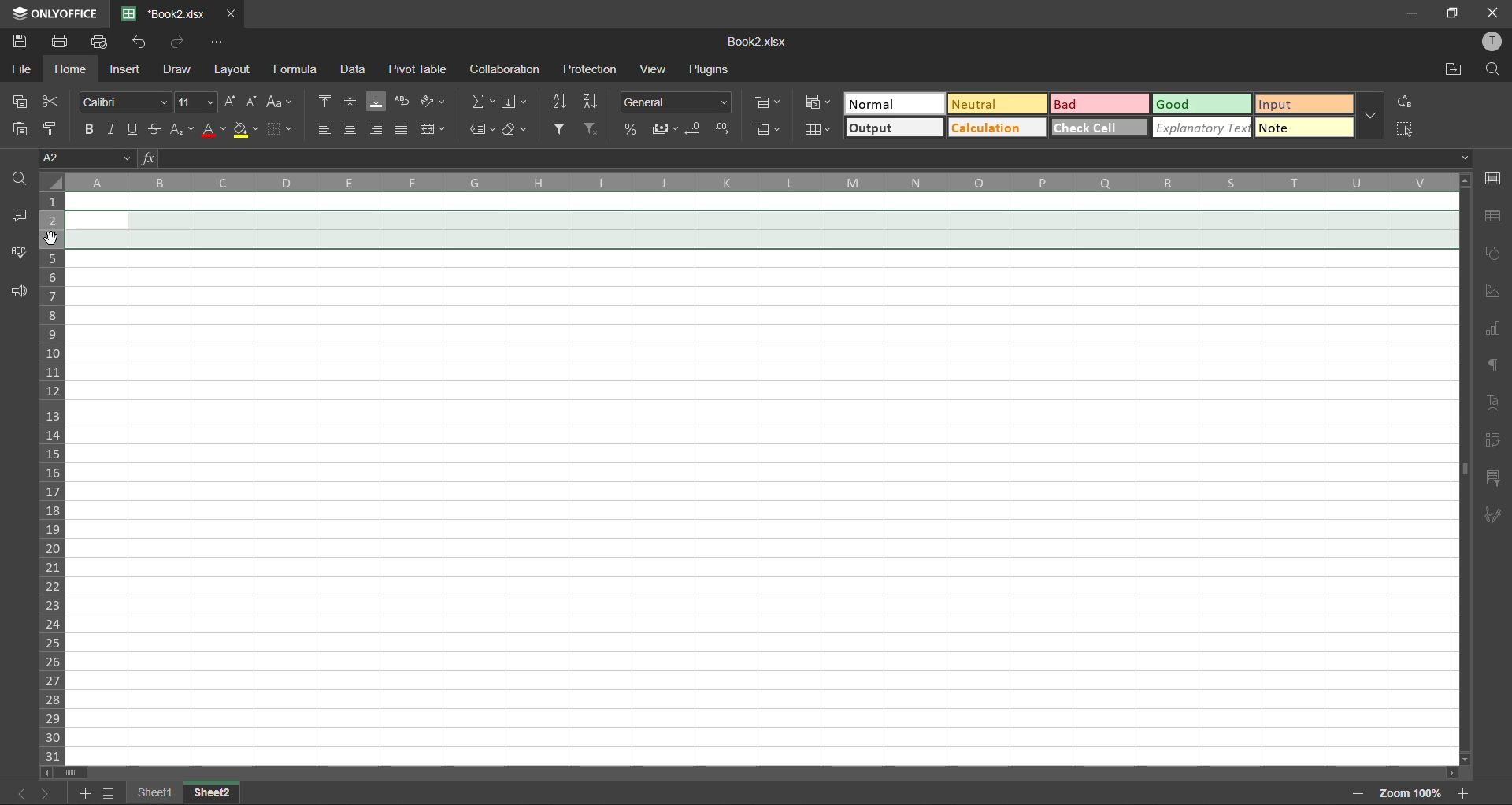 This screenshot has width=1512, height=805. Describe the element at coordinates (351, 99) in the screenshot. I see `align middle` at that location.